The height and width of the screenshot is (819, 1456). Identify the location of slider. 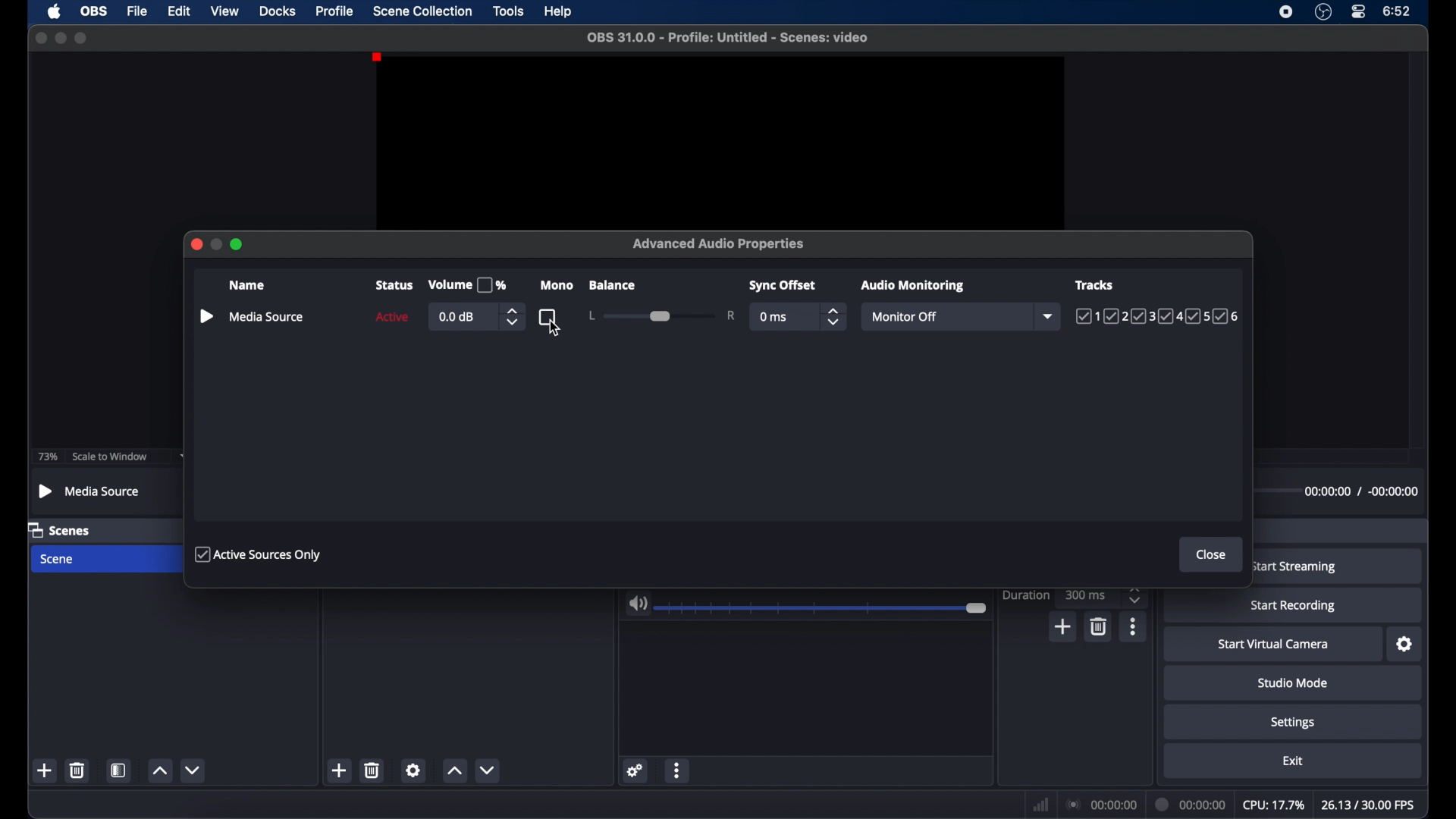
(823, 609).